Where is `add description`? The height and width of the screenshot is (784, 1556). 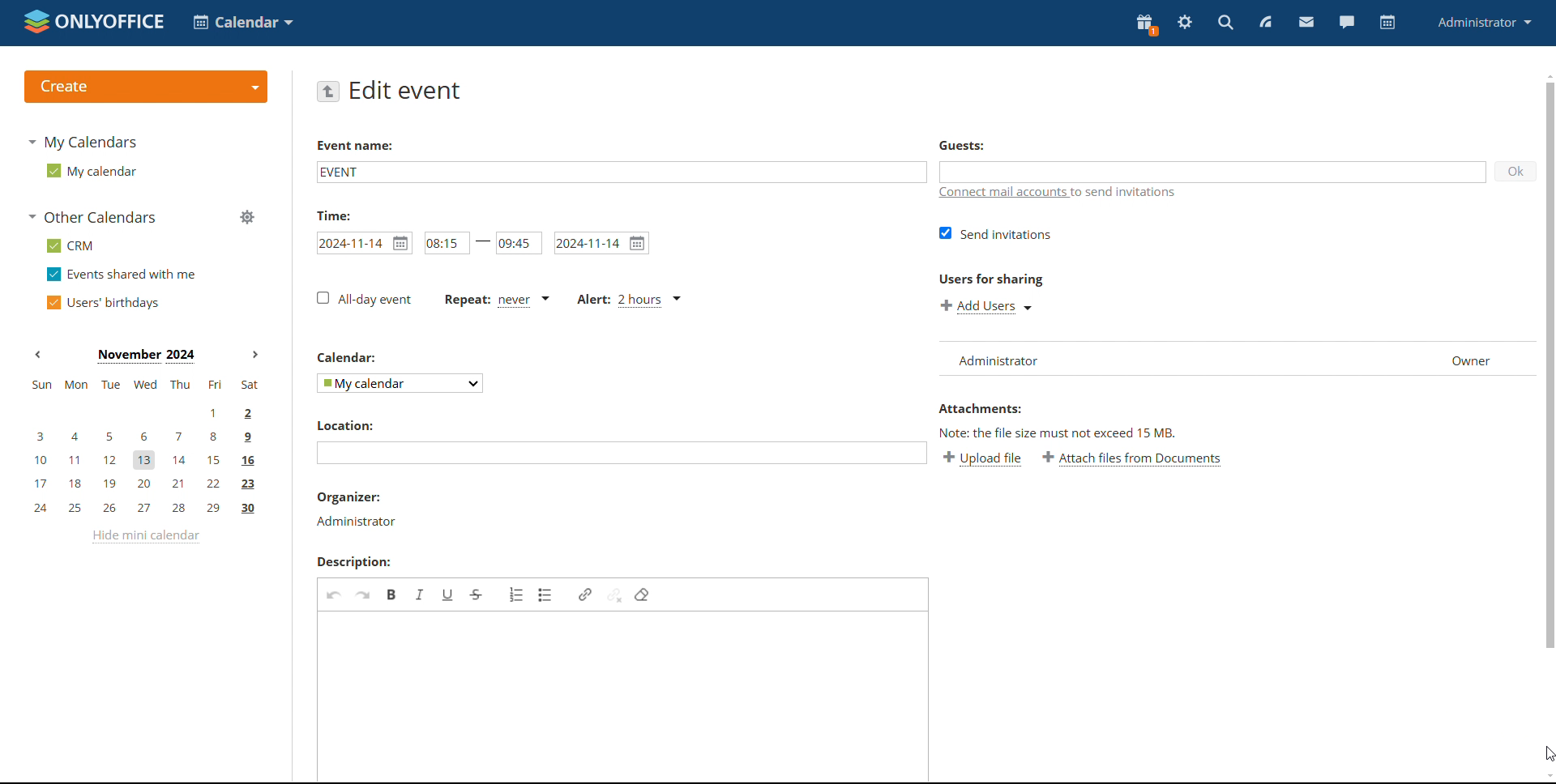 add description is located at coordinates (622, 697).